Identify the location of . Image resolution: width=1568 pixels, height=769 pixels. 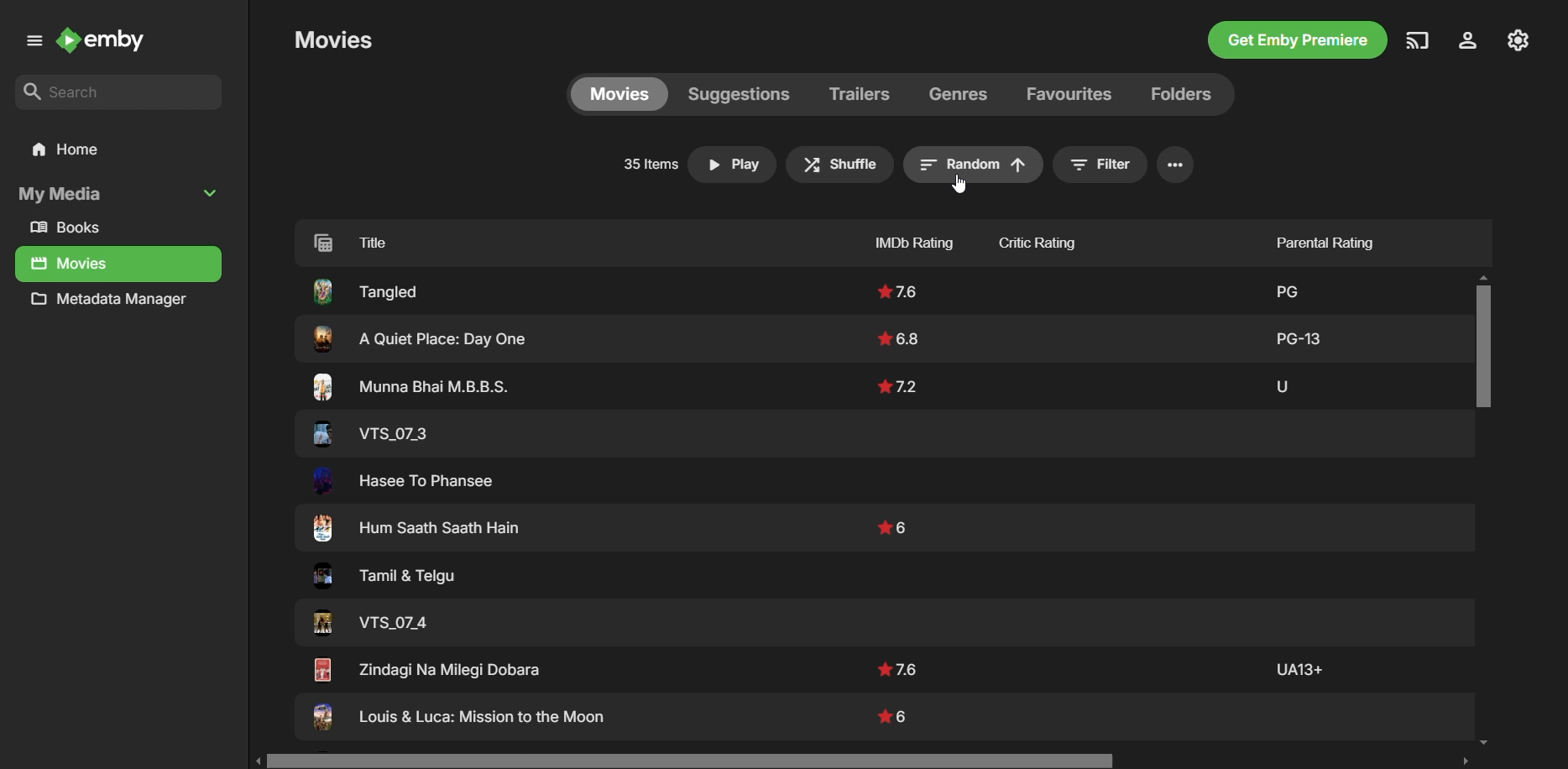
(371, 624).